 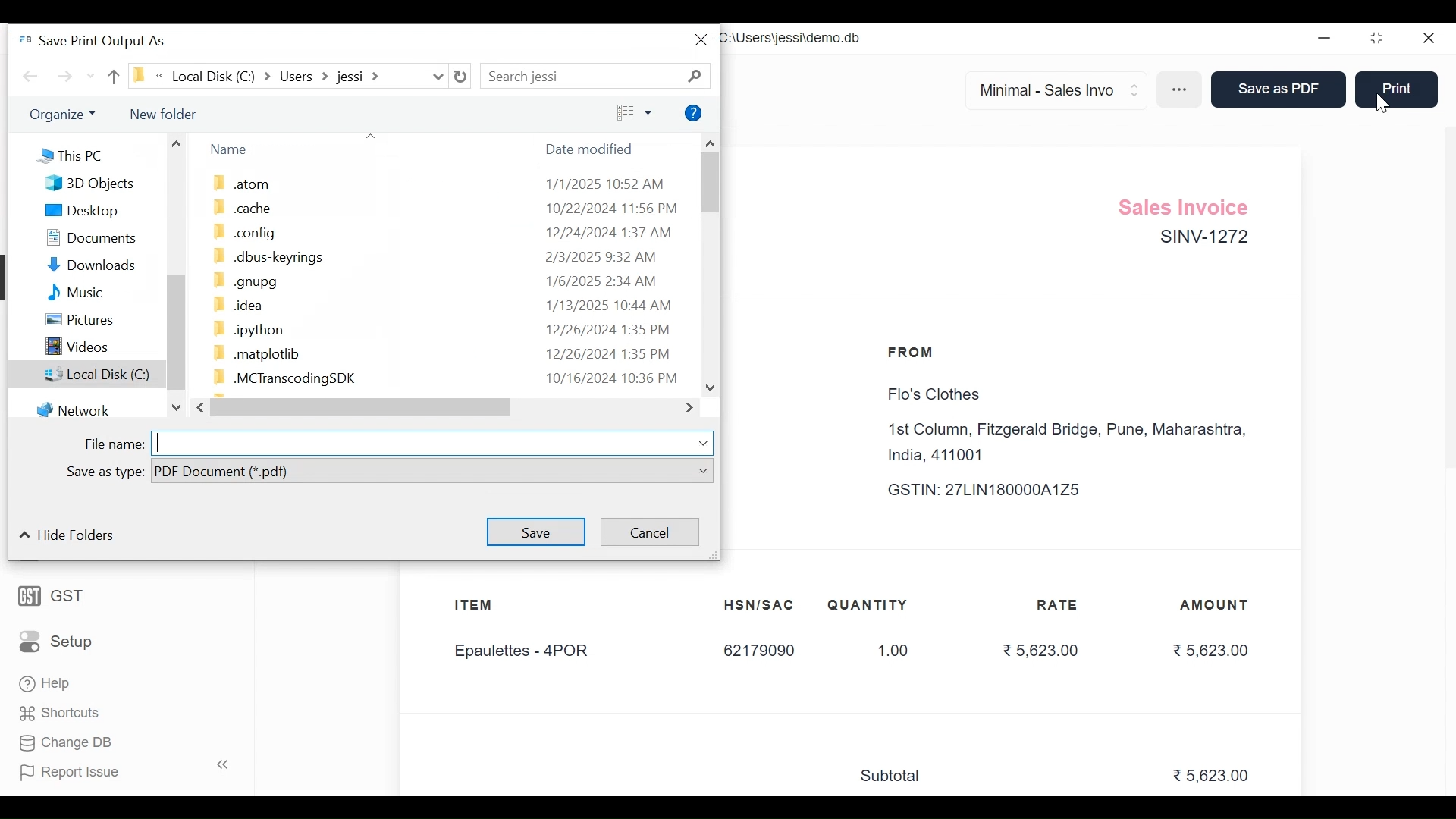 What do you see at coordinates (278, 376) in the screenshot?
I see `.MCTranscodingSDK` at bounding box center [278, 376].